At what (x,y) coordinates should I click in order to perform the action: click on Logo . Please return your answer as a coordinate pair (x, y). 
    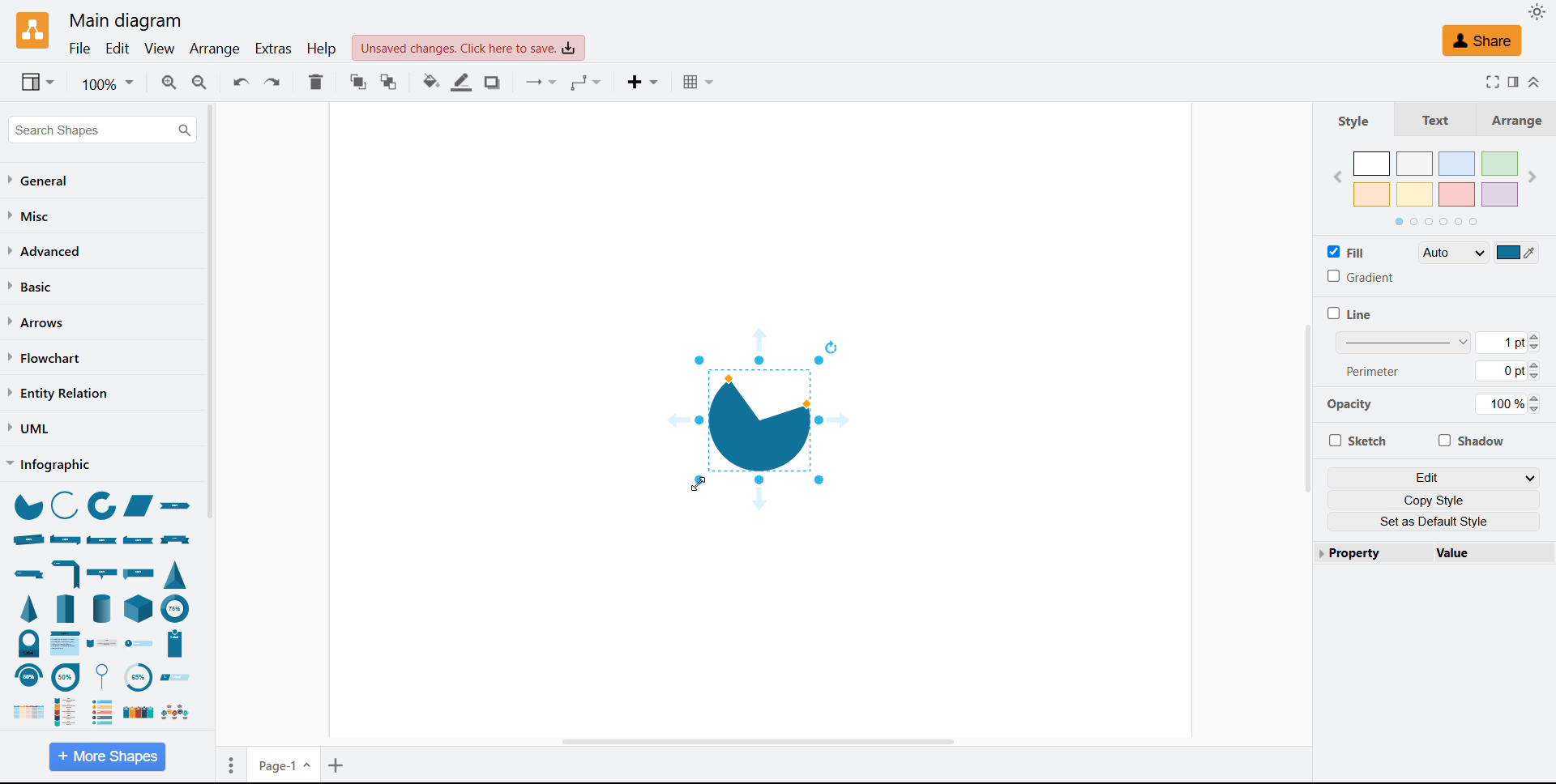
    Looking at the image, I should click on (34, 32).